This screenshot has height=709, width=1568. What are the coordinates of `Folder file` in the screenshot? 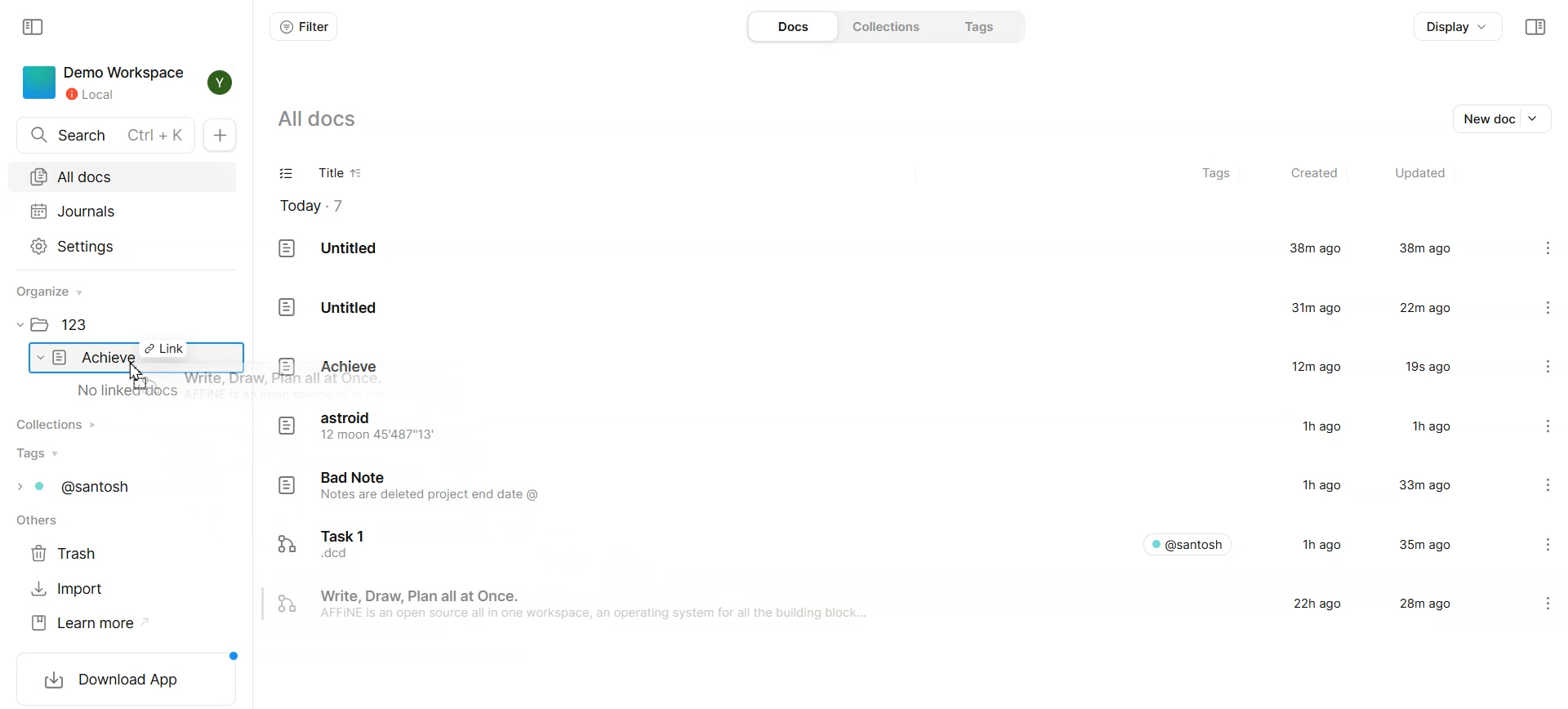 It's located at (68, 326).